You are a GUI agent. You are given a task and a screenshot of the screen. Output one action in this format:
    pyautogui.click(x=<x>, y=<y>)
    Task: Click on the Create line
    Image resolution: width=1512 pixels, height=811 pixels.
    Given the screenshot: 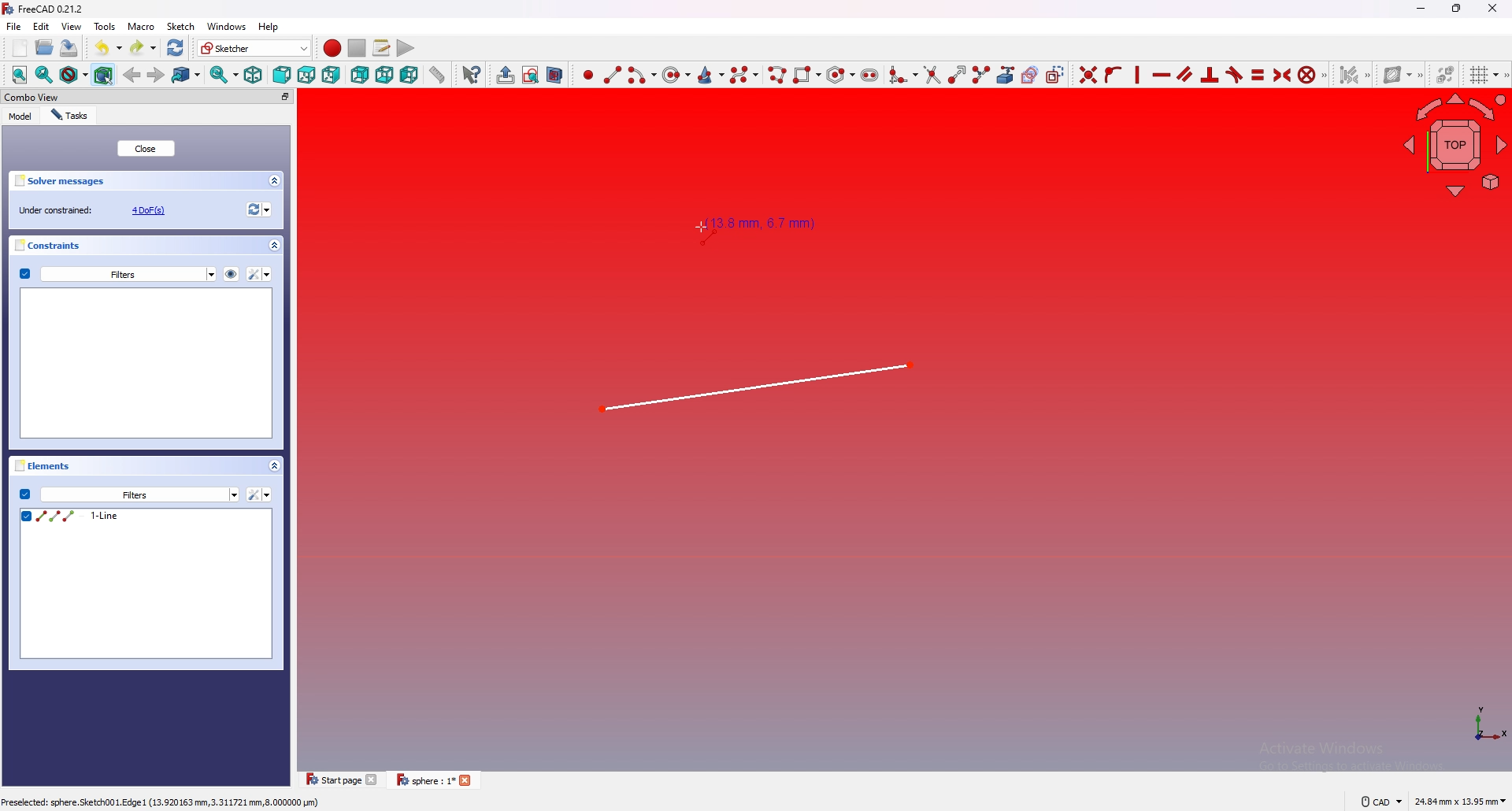 What is the action you would take?
    pyautogui.click(x=613, y=74)
    